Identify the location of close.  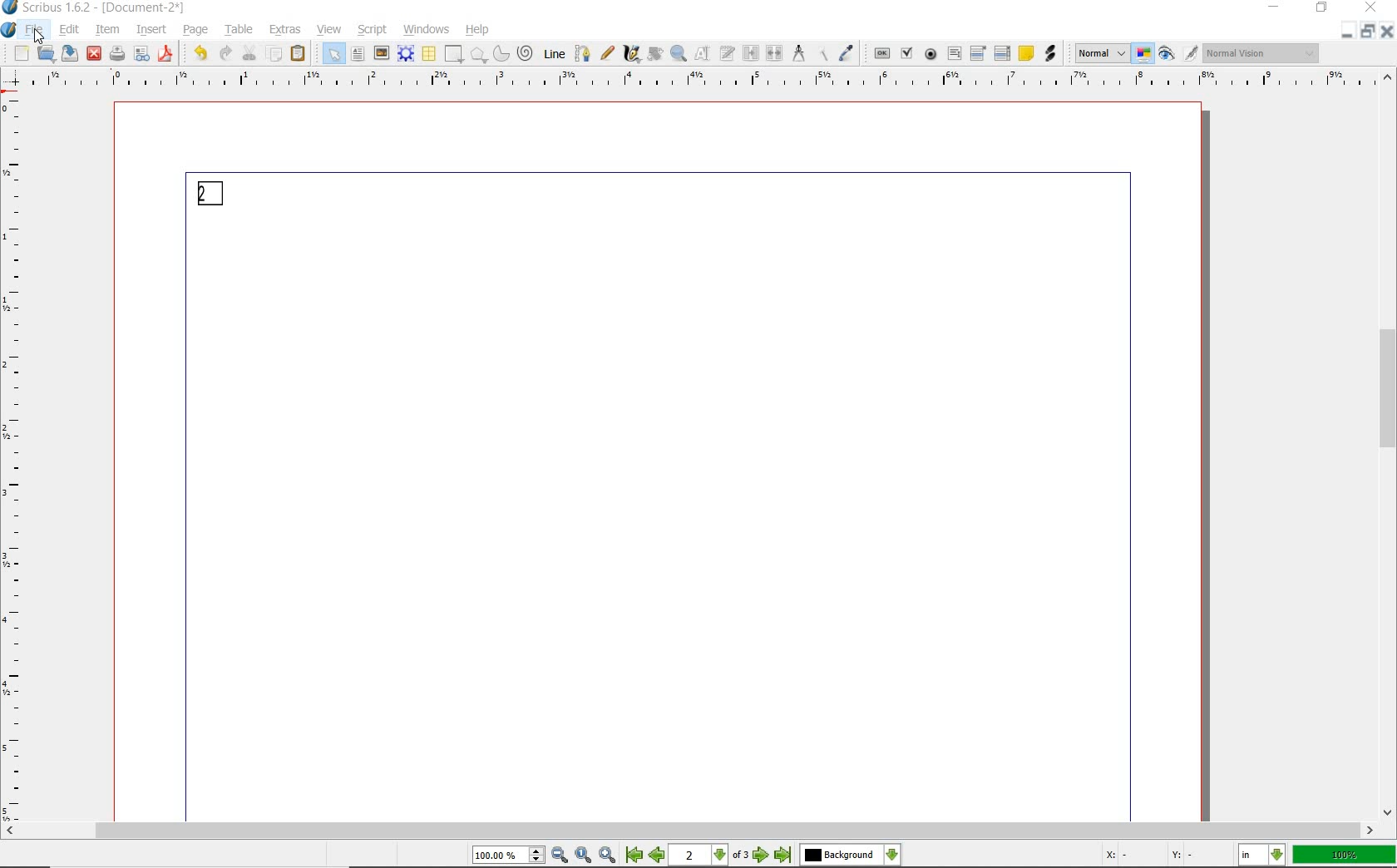
(1370, 8).